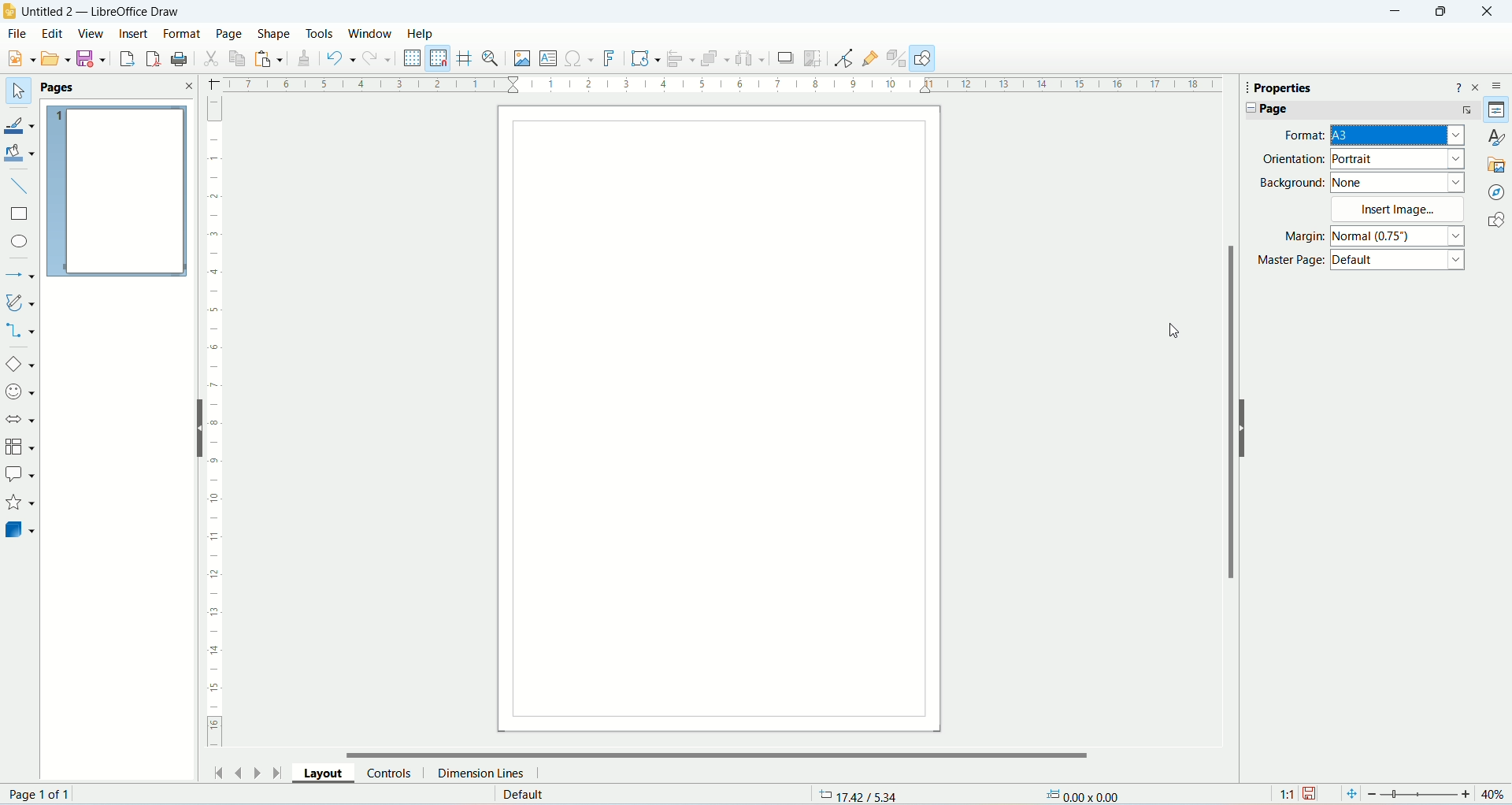 The width and height of the screenshot is (1512, 805). Describe the element at coordinates (56, 57) in the screenshot. I see `` at that location.